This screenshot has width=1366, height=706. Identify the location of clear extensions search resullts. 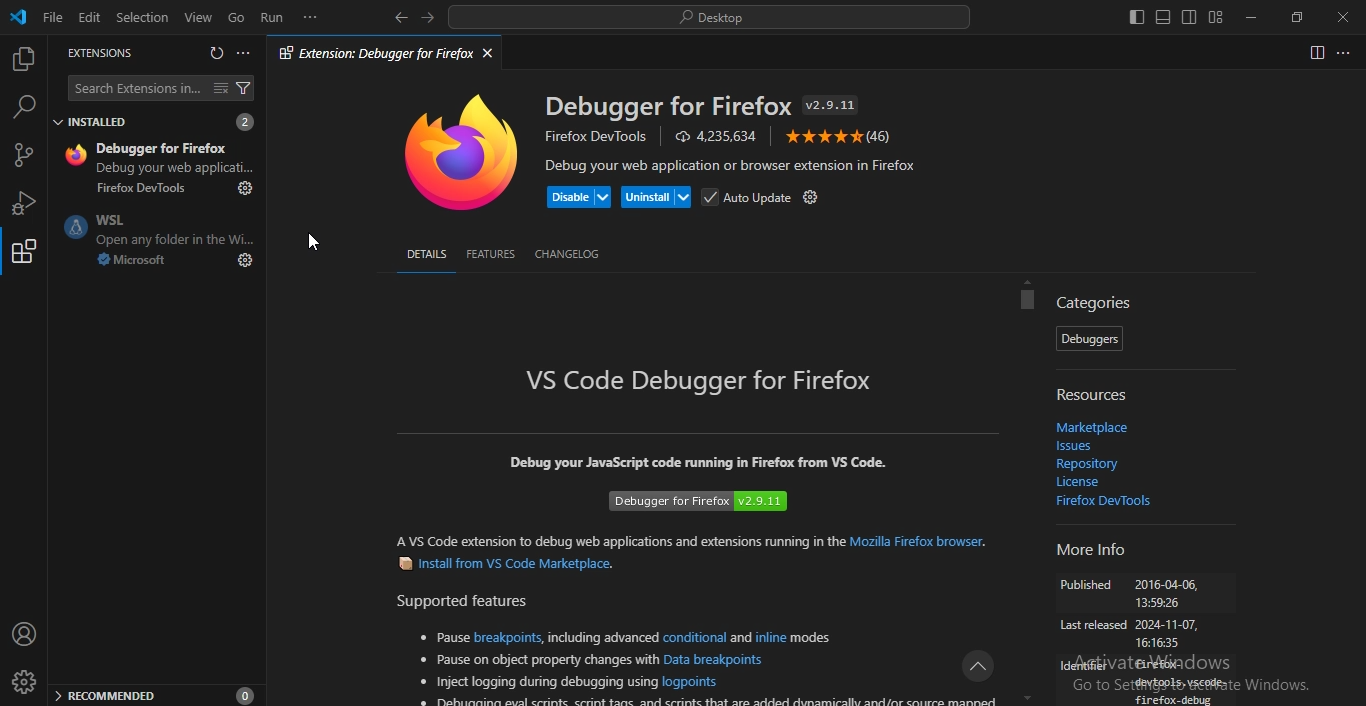
(224, 89).